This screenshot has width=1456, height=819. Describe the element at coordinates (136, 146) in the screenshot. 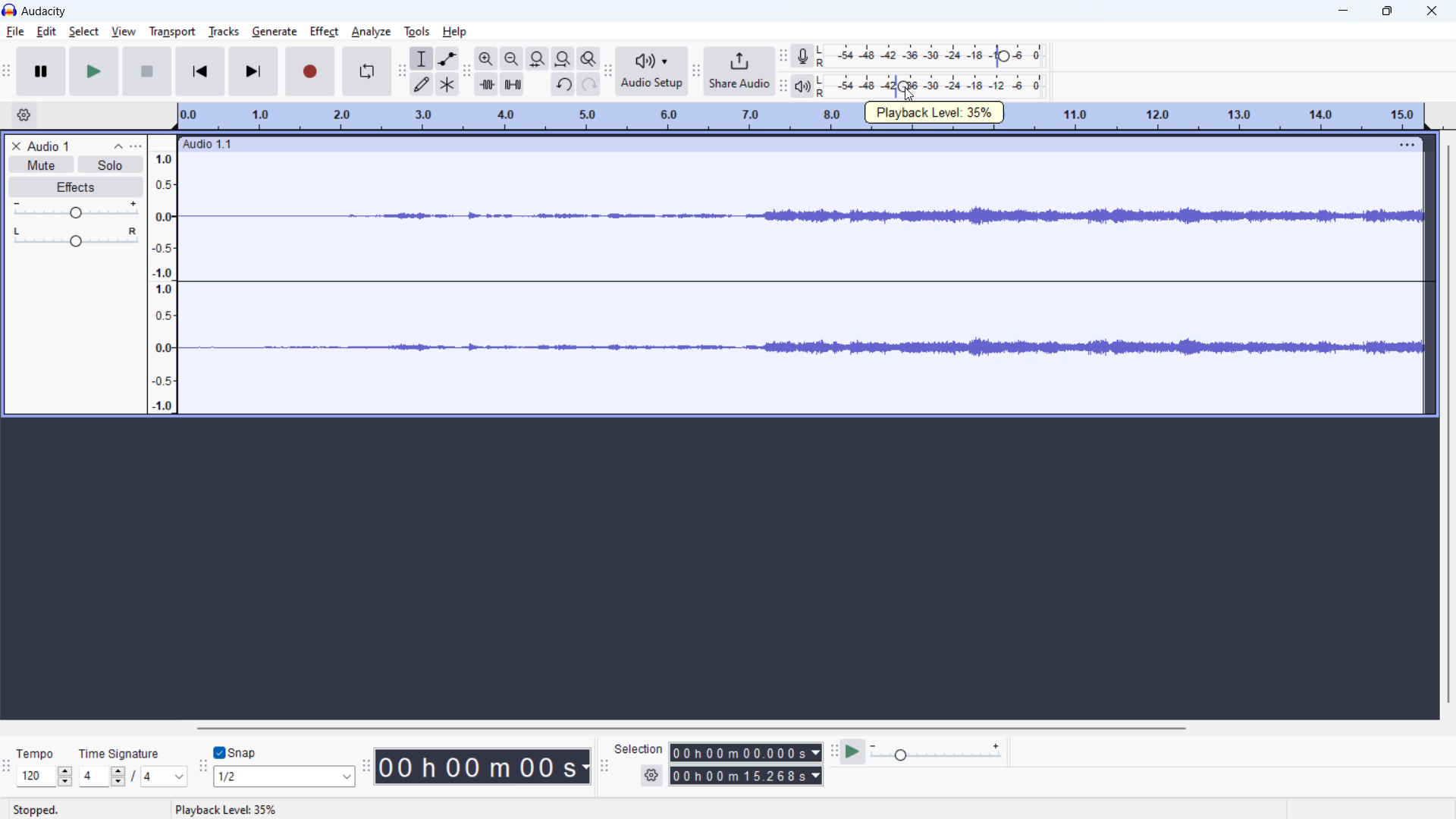

I see `view menu` at that location.